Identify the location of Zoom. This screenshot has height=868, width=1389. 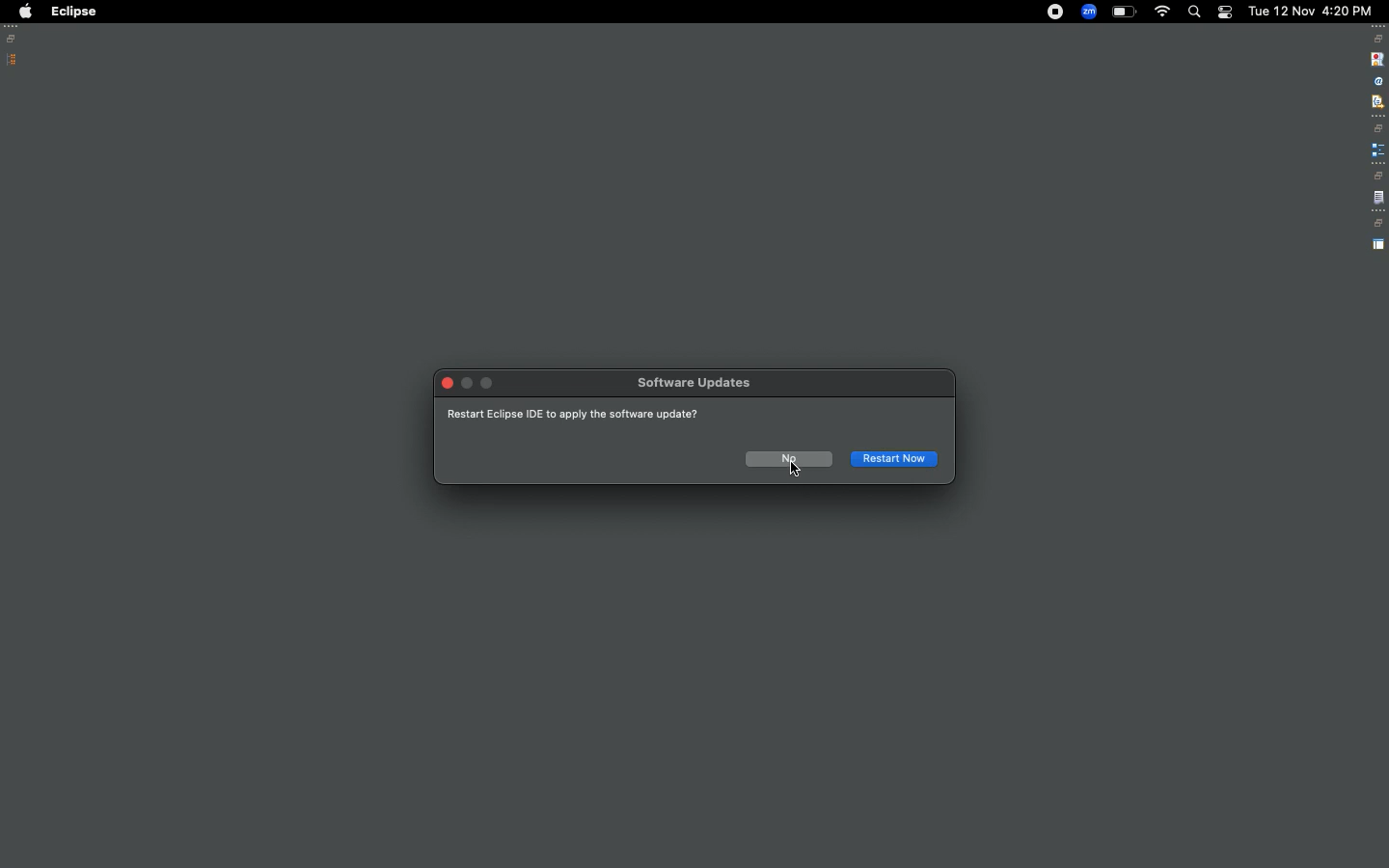
(1088, 12).